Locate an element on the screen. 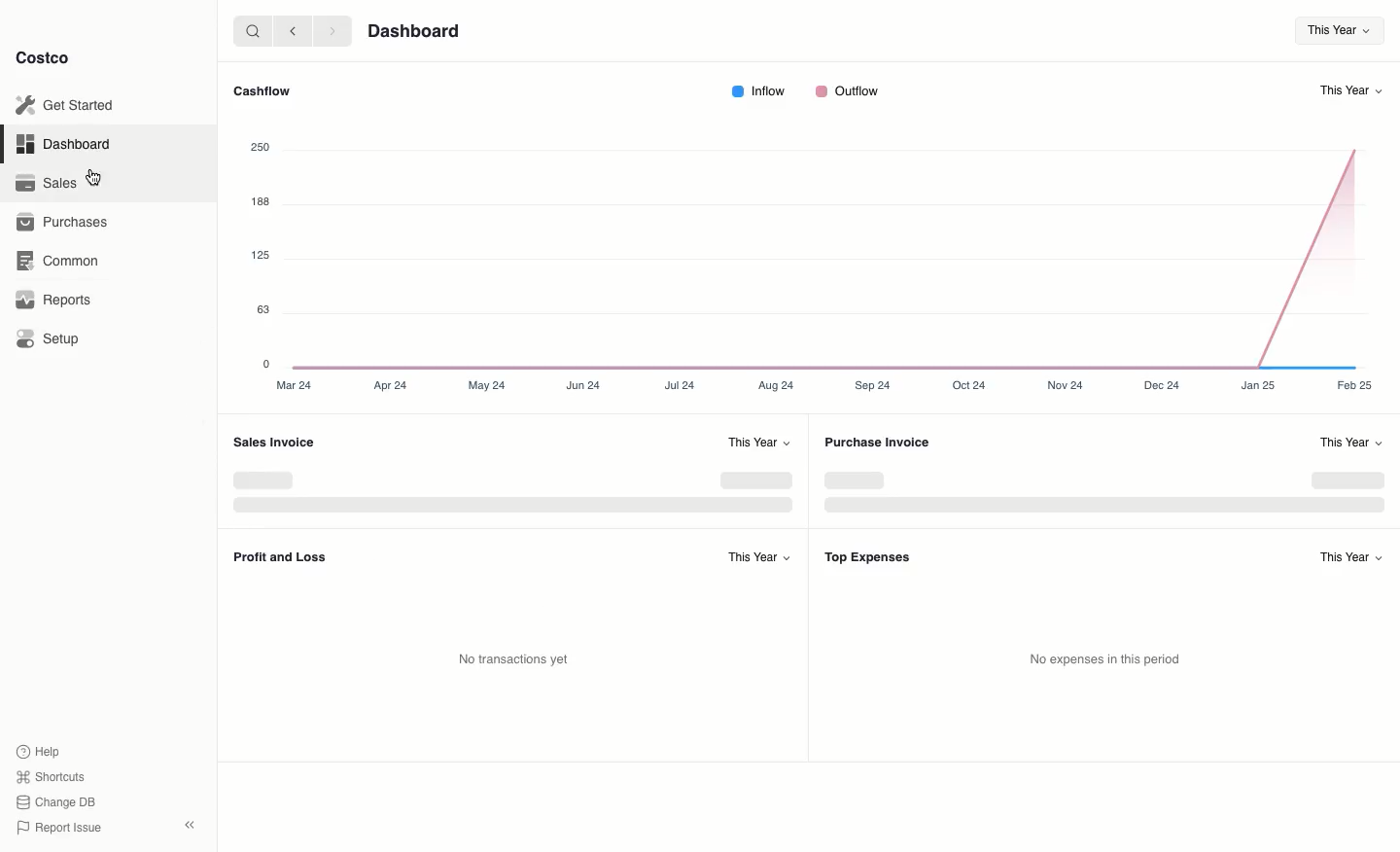 Image resolution: width=1400 pixels, height=852 pixels. Jul 24 is located at coordinates (682, 386).